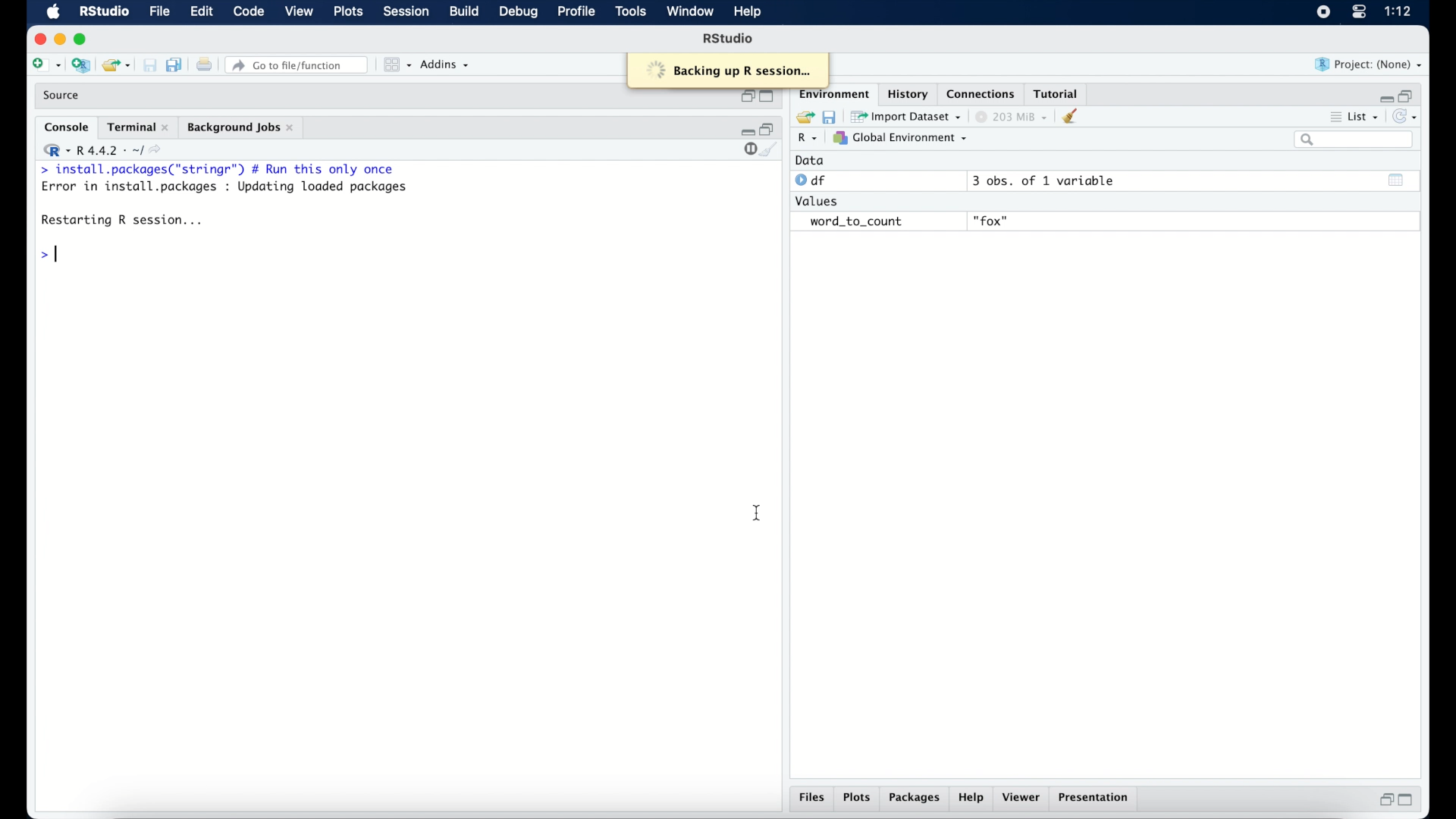 This screenshot has height=819, width=1456. Describe the element at coordinates (350, 12) in the screenshot. I see `plots` at that location.